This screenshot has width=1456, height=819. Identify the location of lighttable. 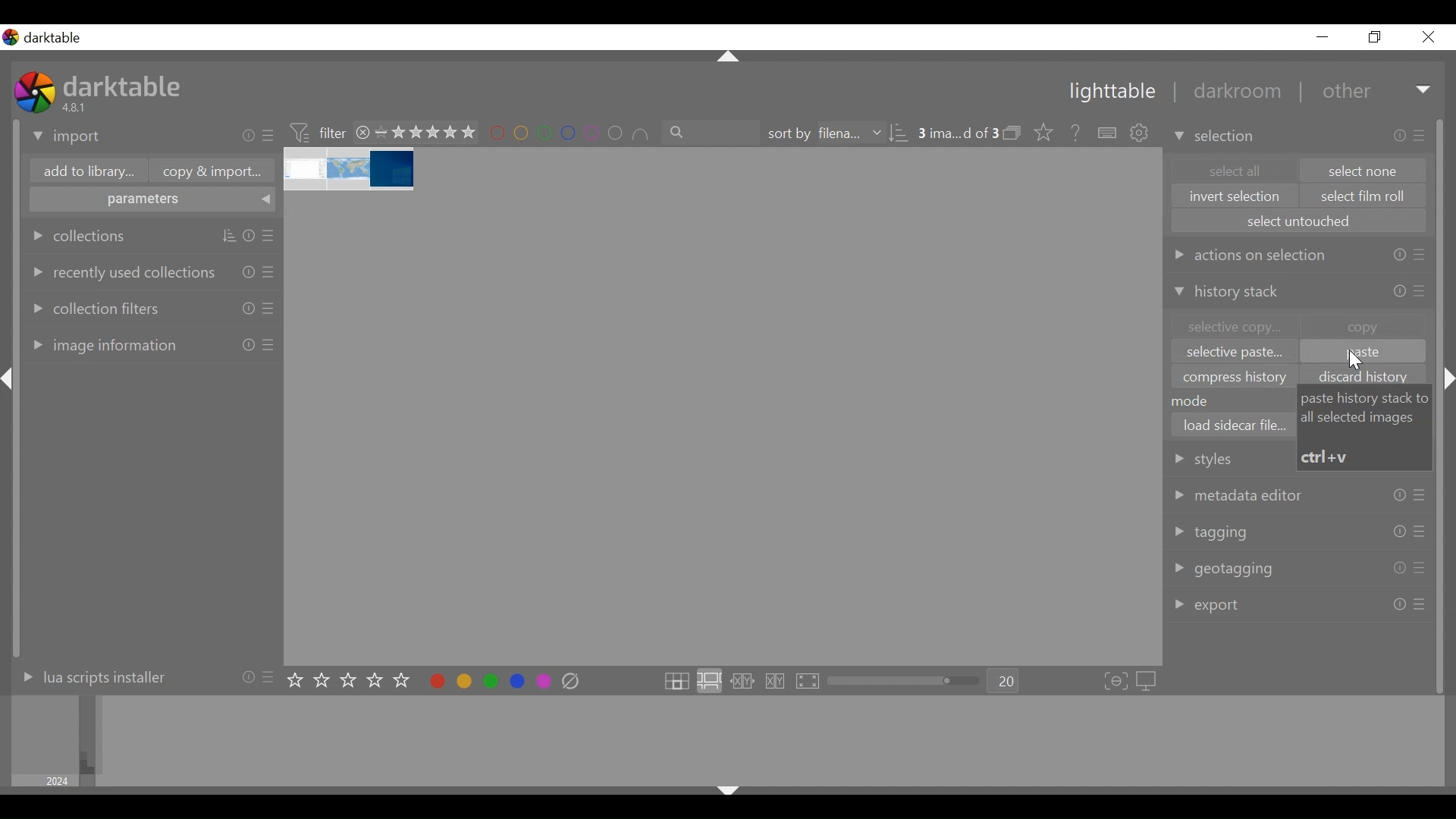
(1111, 93).